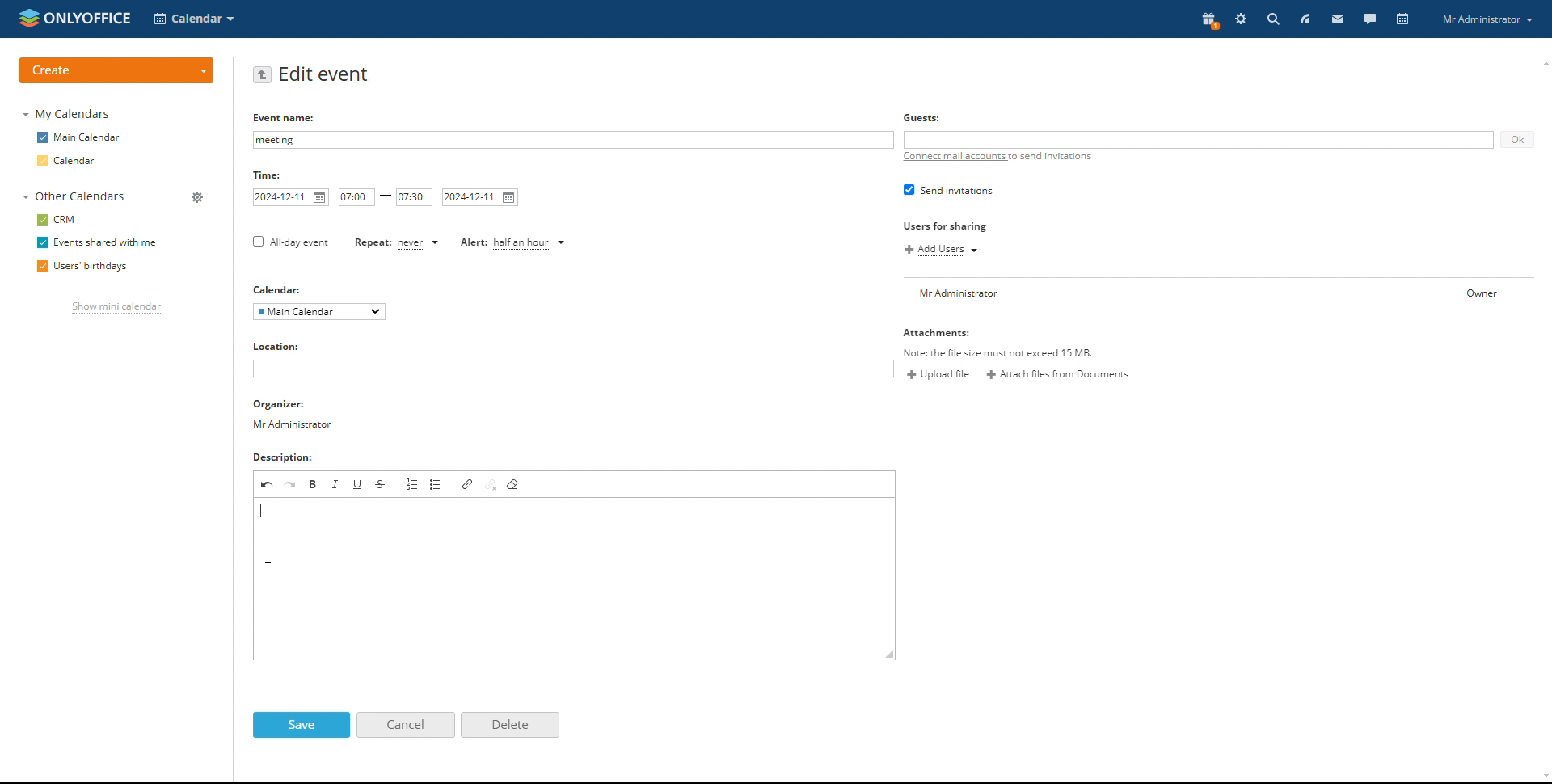  I want to click on all-day event checkbox, so click(289, 243).